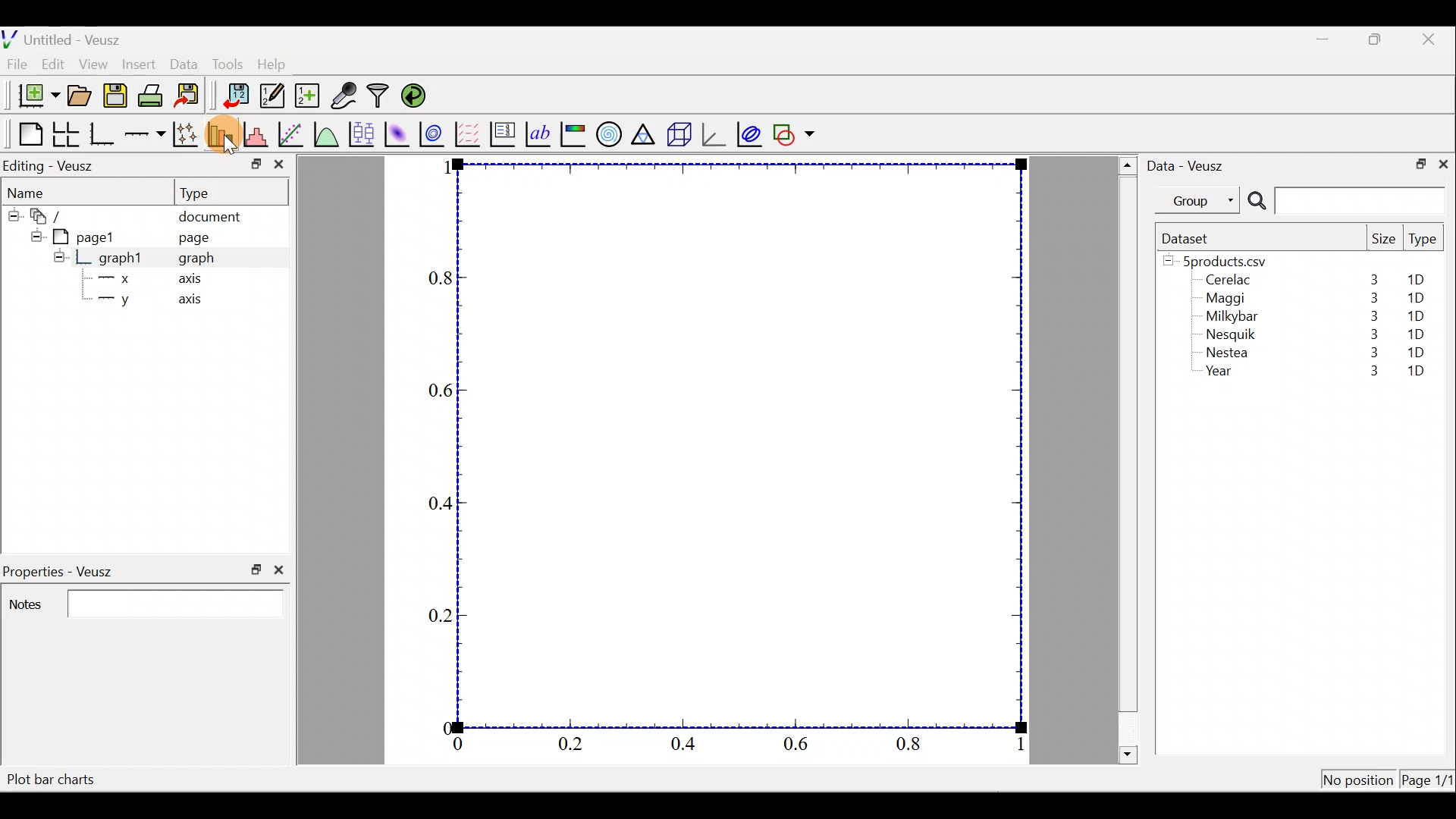  Describe the element at coordinates (434, 506) in the screenshot. I see `04` at that location.